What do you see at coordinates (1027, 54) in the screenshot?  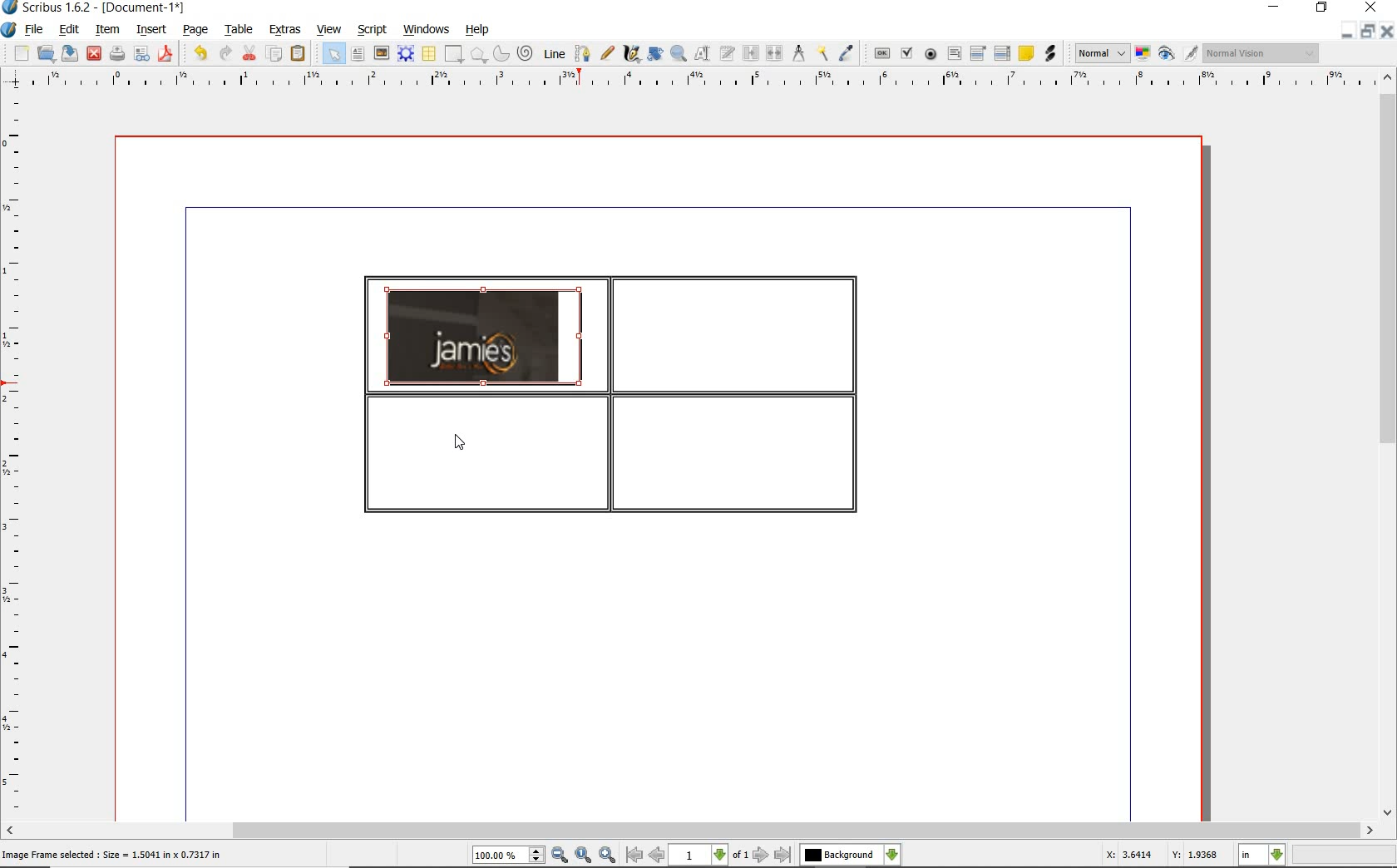 I see `text annotation` at bounding box center [1027, 54].